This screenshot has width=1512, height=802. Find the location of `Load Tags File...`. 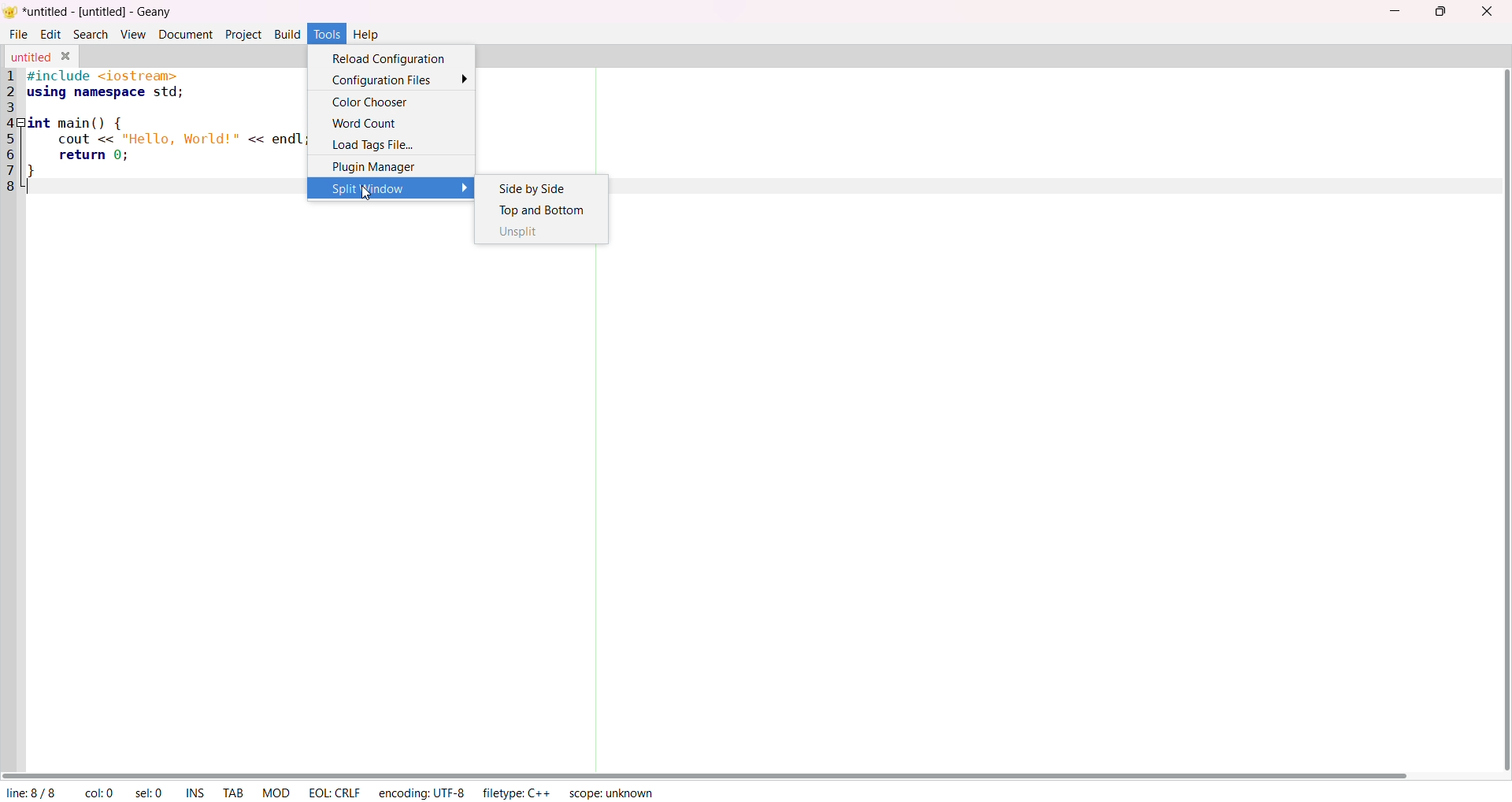

Load Tags File... is located at coordinates (373, 147).